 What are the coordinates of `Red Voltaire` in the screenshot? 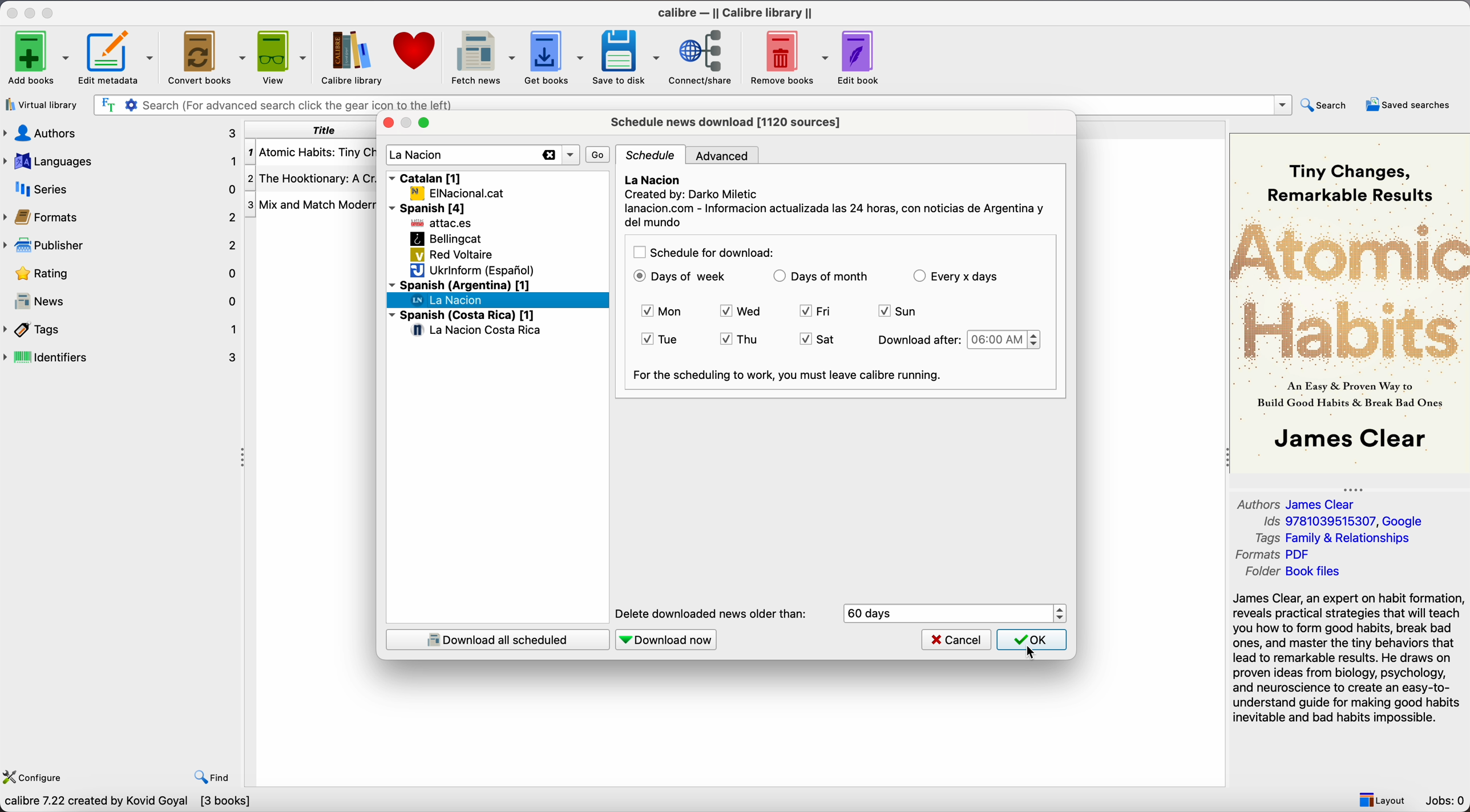 It's located at (452, 256).